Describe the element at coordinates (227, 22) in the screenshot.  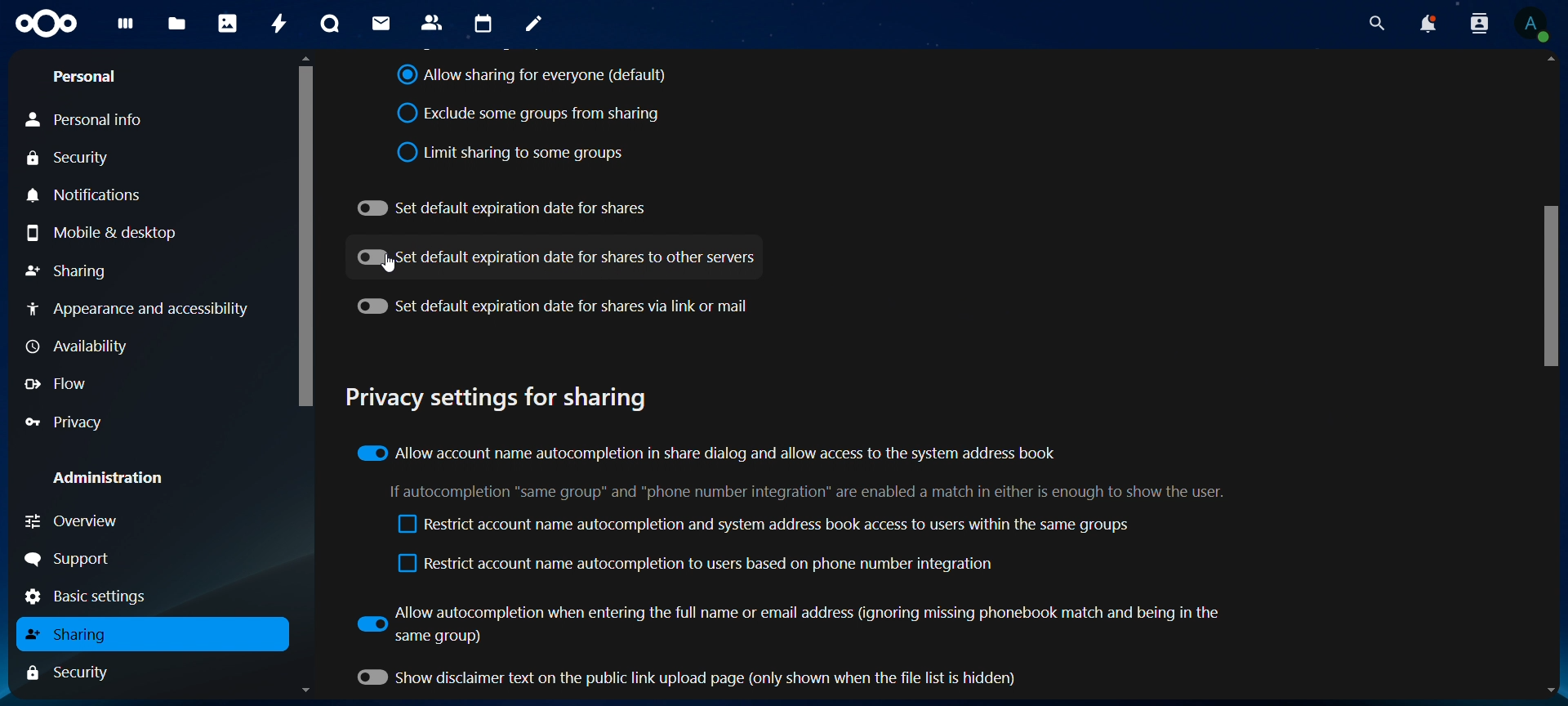
I see `photos` at that location.